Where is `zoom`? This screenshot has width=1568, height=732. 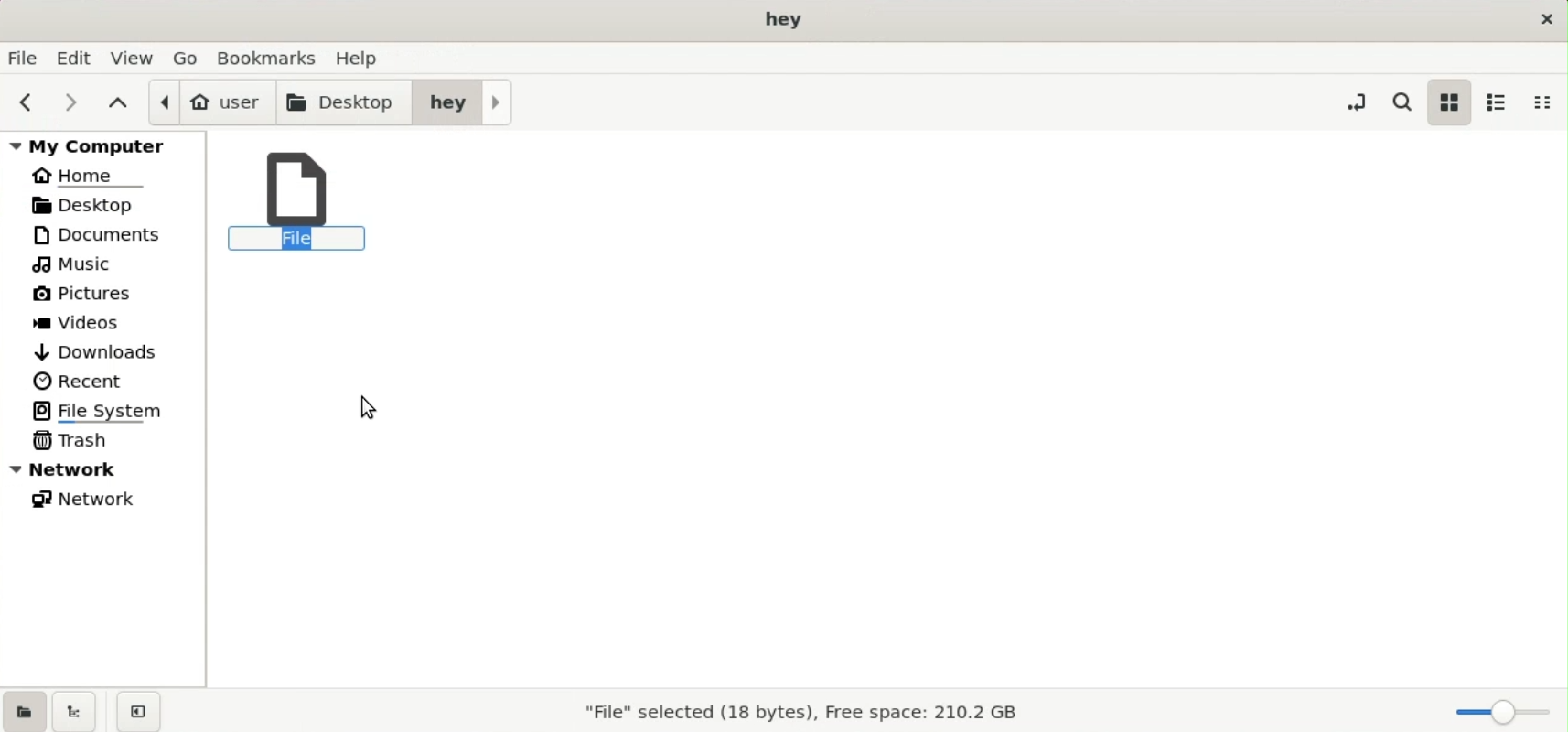 zoom is located at coordinates (1498, 712).